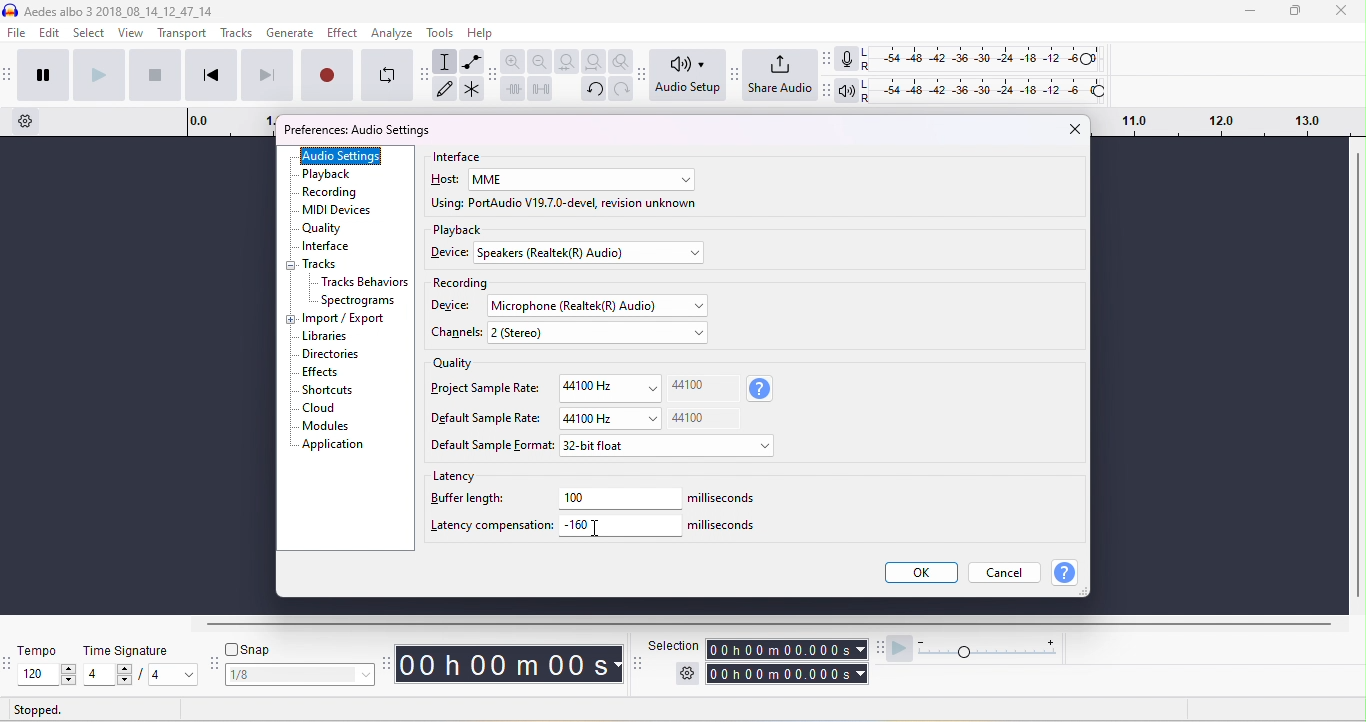 The width and height of the screenshot is (1366, 722). What do you see at coordinates (992, 649) in the screenshot?
I see `playback speed` at bounding box center [992, 649].